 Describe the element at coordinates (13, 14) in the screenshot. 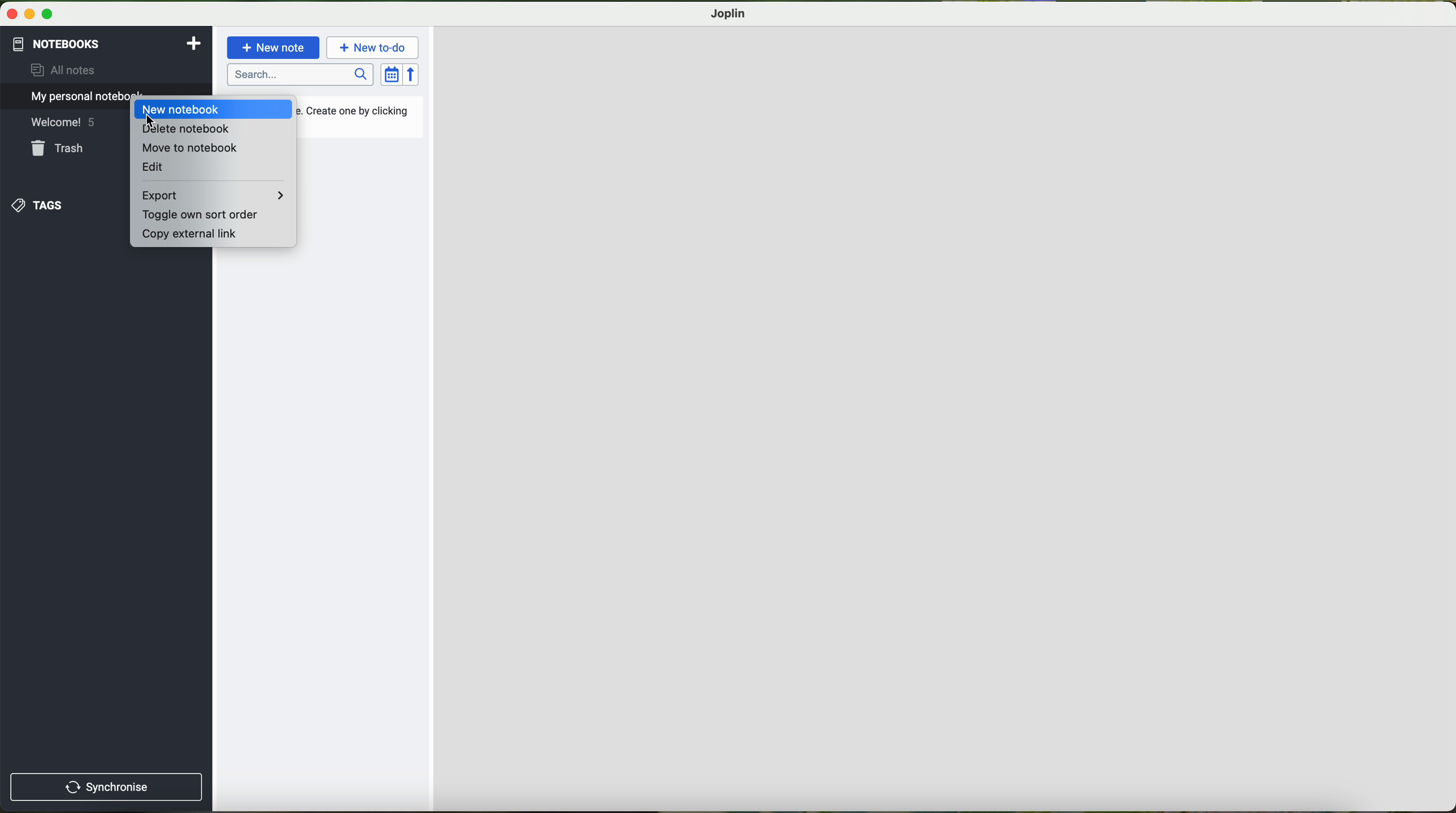

I see `close` at that location.